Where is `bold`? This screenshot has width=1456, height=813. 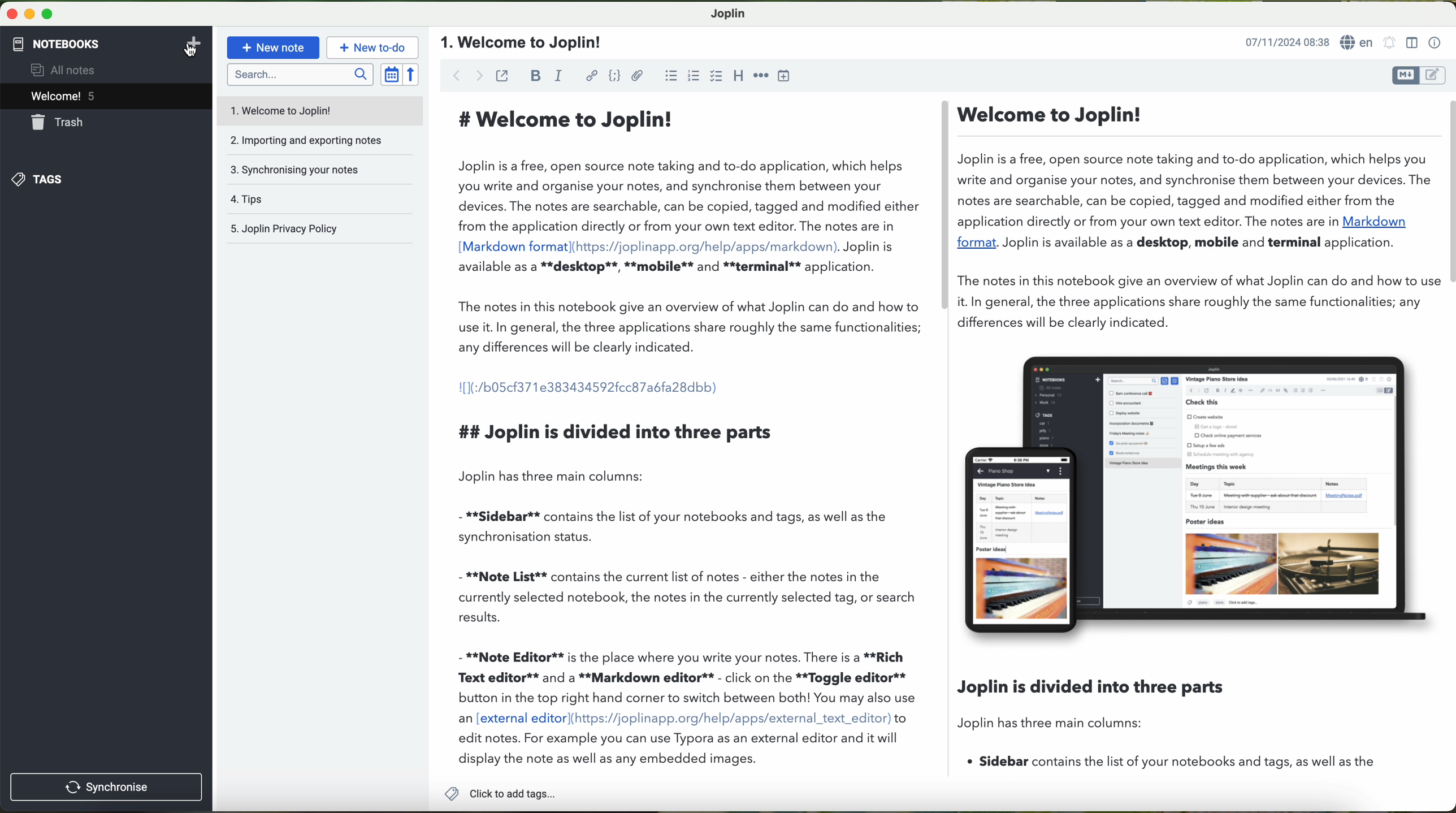
bold is located at coordinates (535, 76).